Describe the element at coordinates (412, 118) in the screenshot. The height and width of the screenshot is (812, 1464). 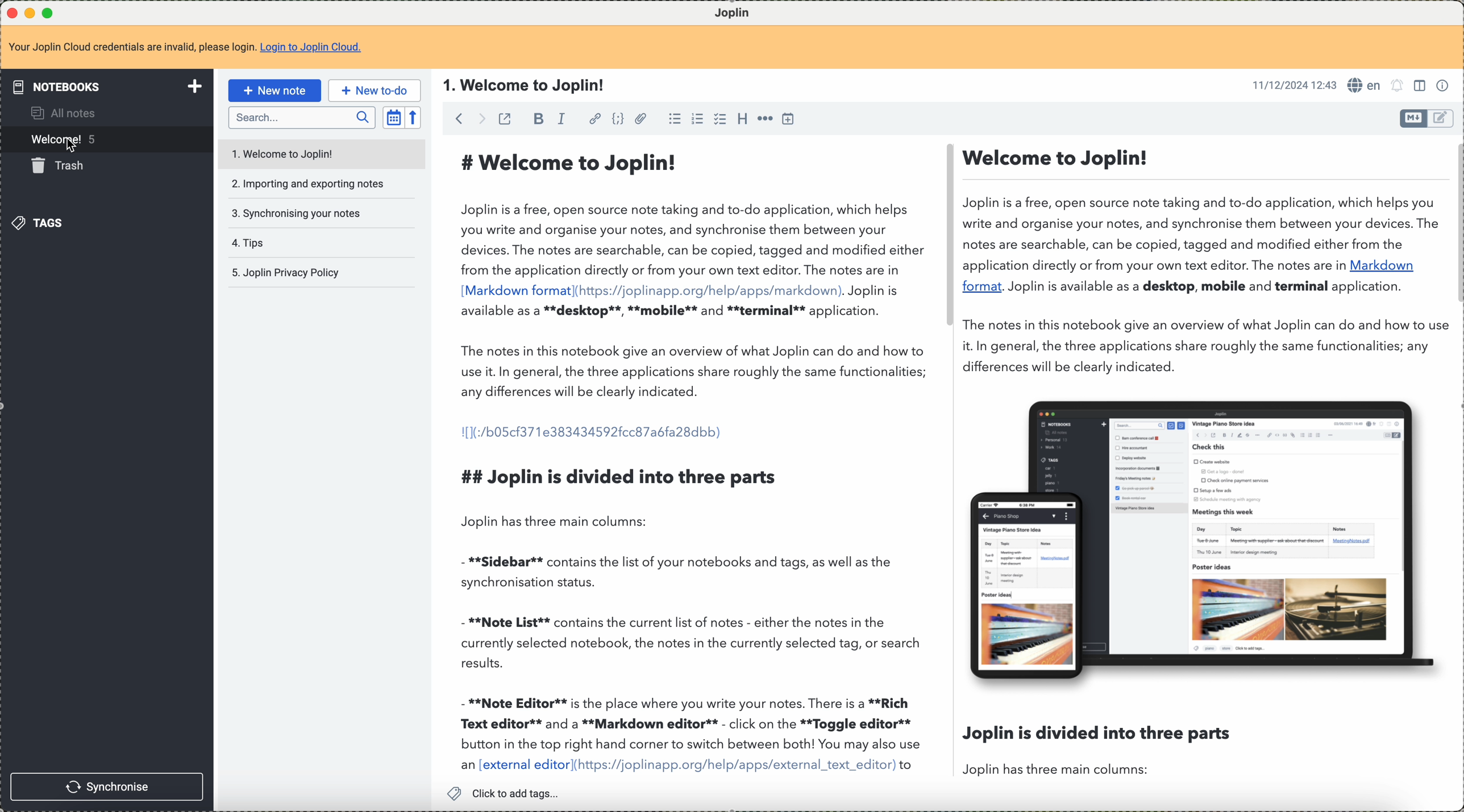
I see `reverse sort order` at that location.